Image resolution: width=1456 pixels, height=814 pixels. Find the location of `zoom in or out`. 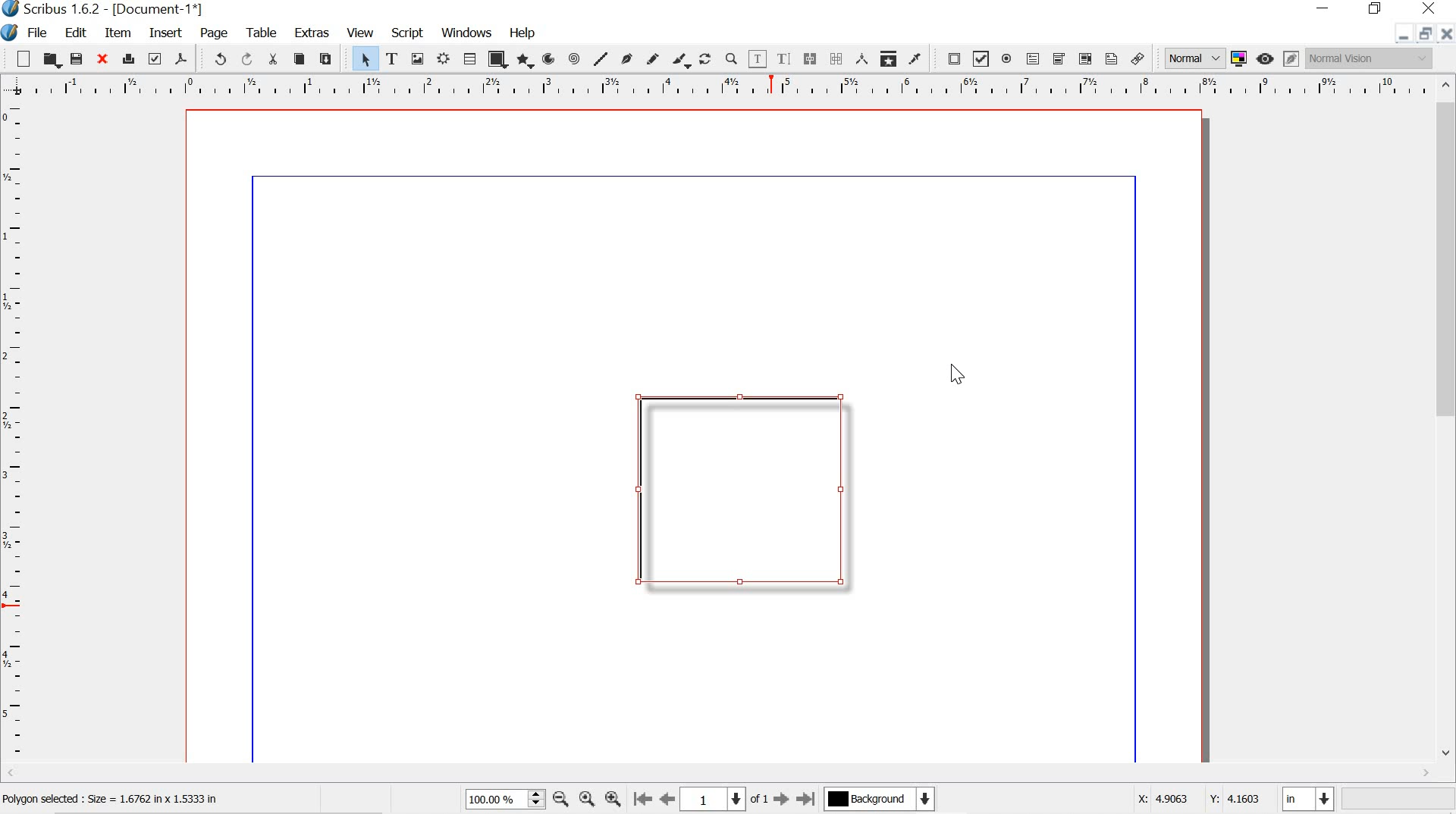

zoom in or out is located at coordinates (731, 58).